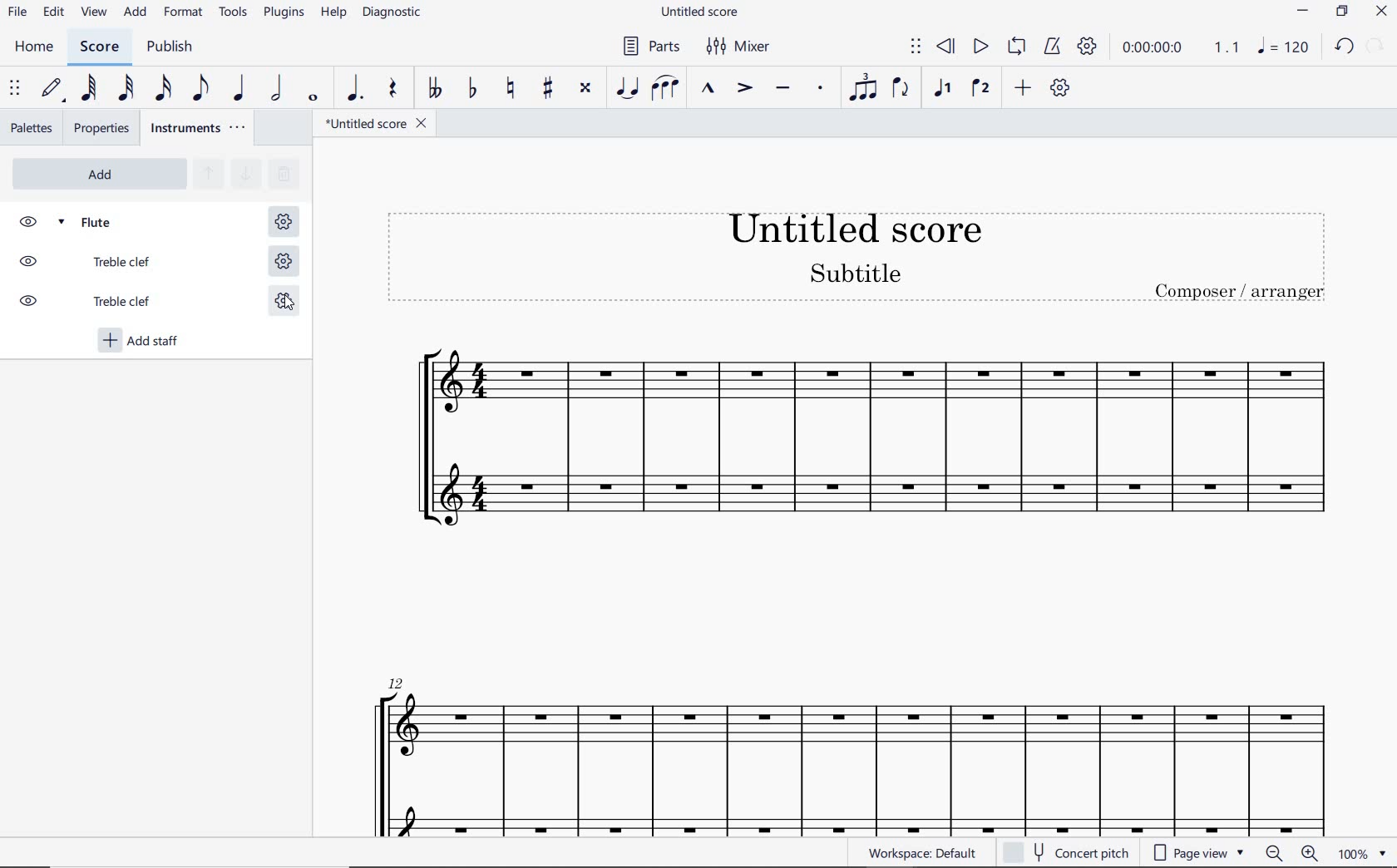 The width and height of the screenshot is (1397, 868). Describe the element at coordinates (100, 47) in the screenshot. I see `score` at that location.